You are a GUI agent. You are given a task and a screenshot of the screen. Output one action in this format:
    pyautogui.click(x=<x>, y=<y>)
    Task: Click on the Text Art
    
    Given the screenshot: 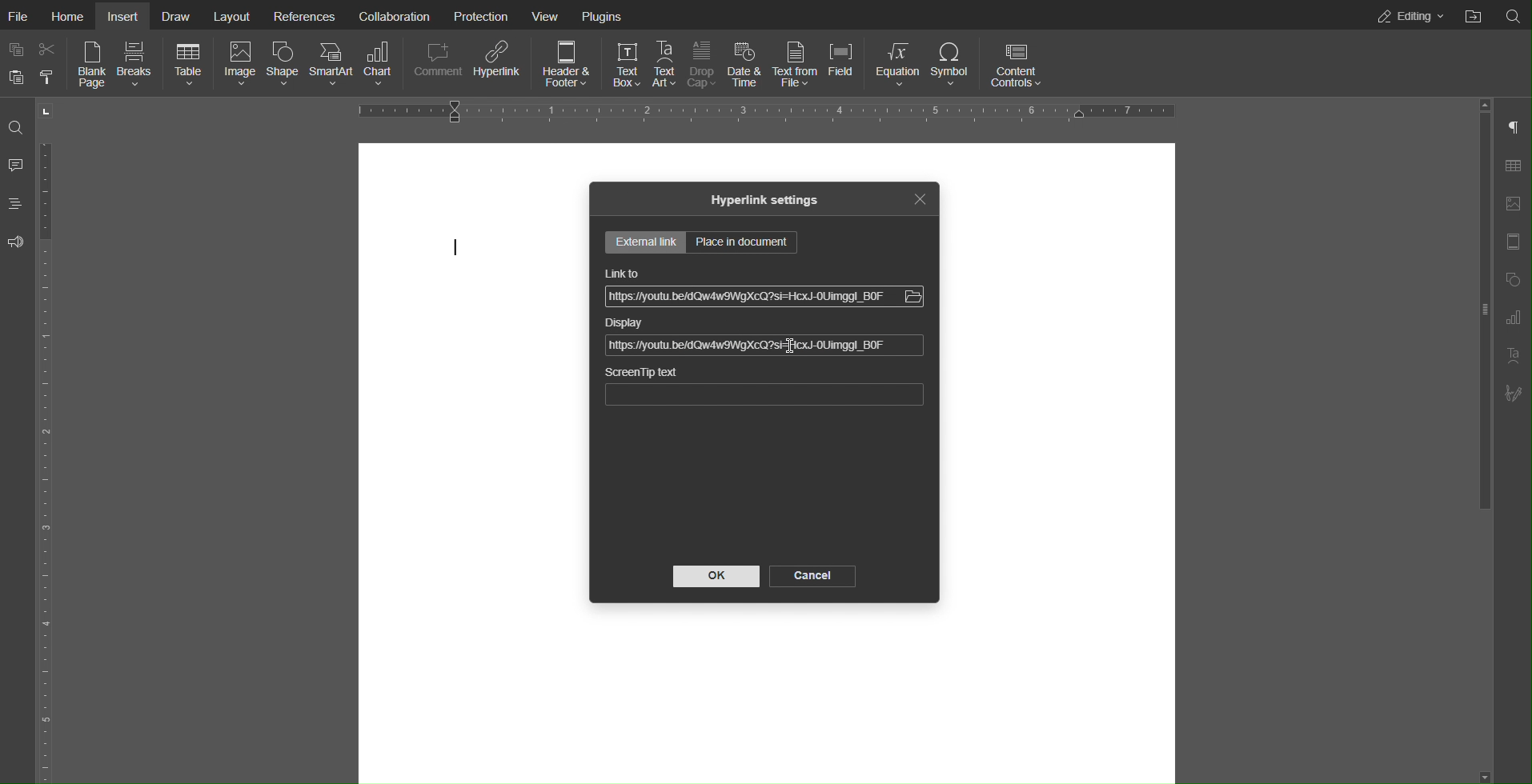 What is the action you would take?
    pyautogui.click(x=1512, y=358)
    